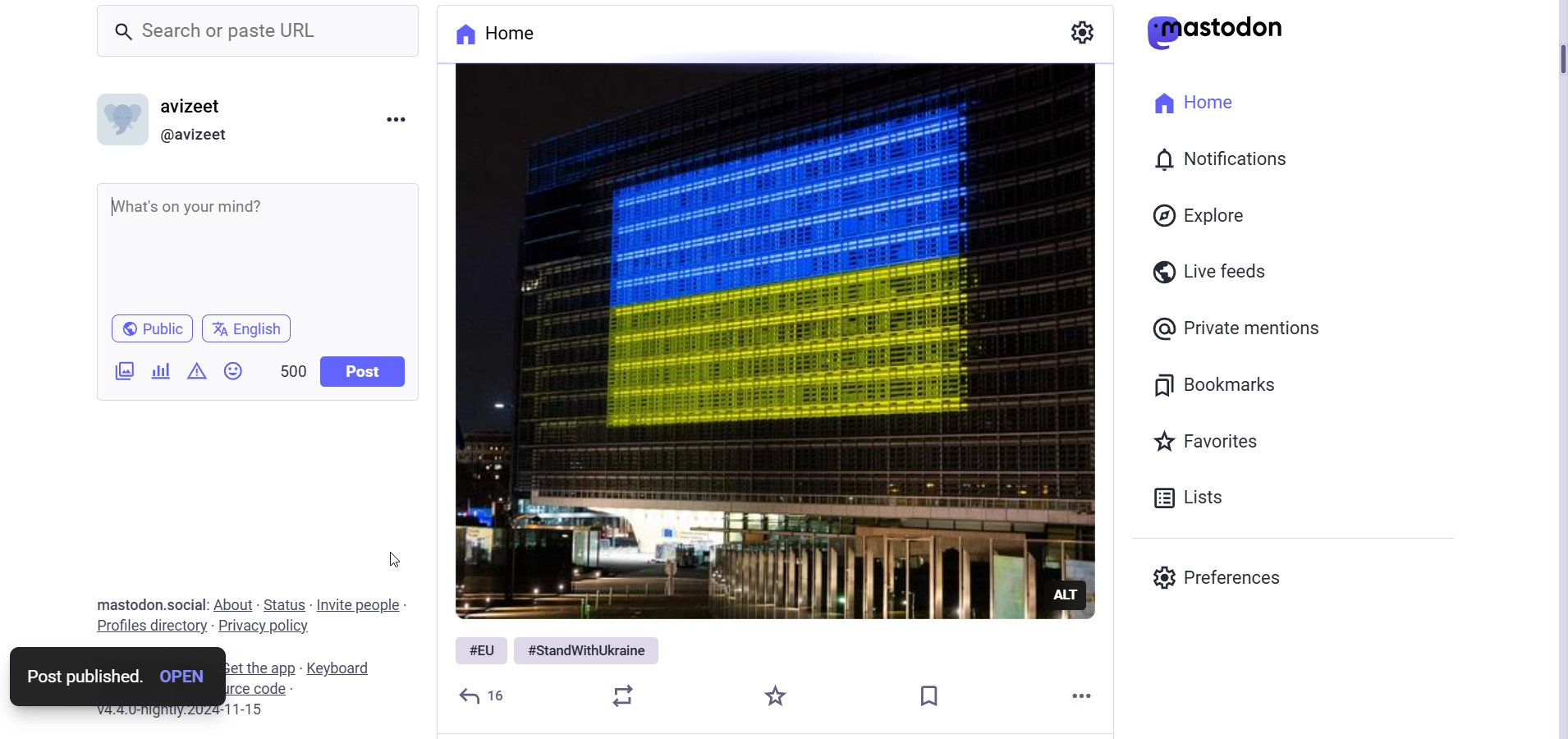  I want to click on Cursor, so click(394, 560).